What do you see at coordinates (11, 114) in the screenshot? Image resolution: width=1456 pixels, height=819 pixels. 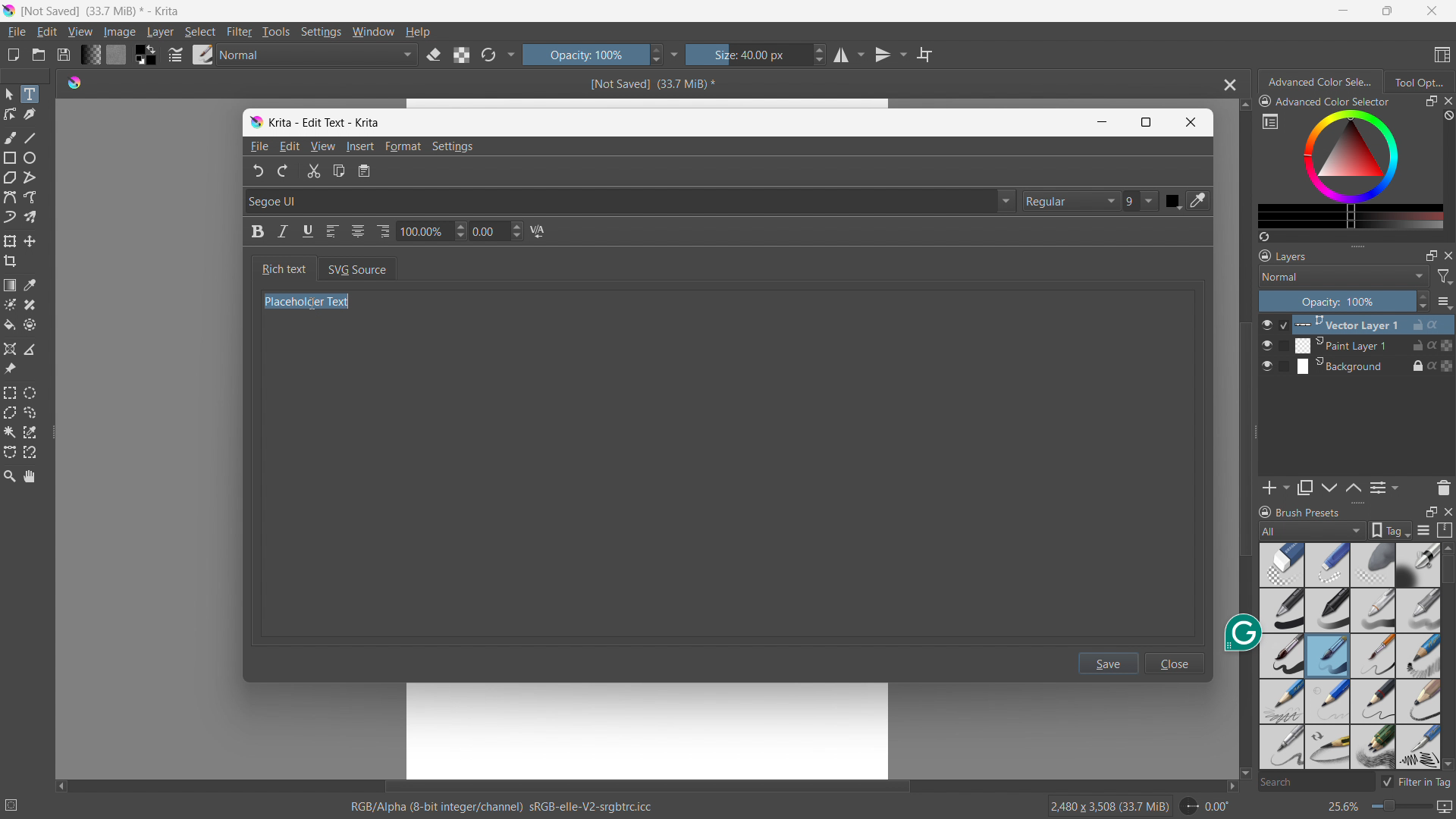 I see `edit shapes tool` at bounding box center [11, 114].